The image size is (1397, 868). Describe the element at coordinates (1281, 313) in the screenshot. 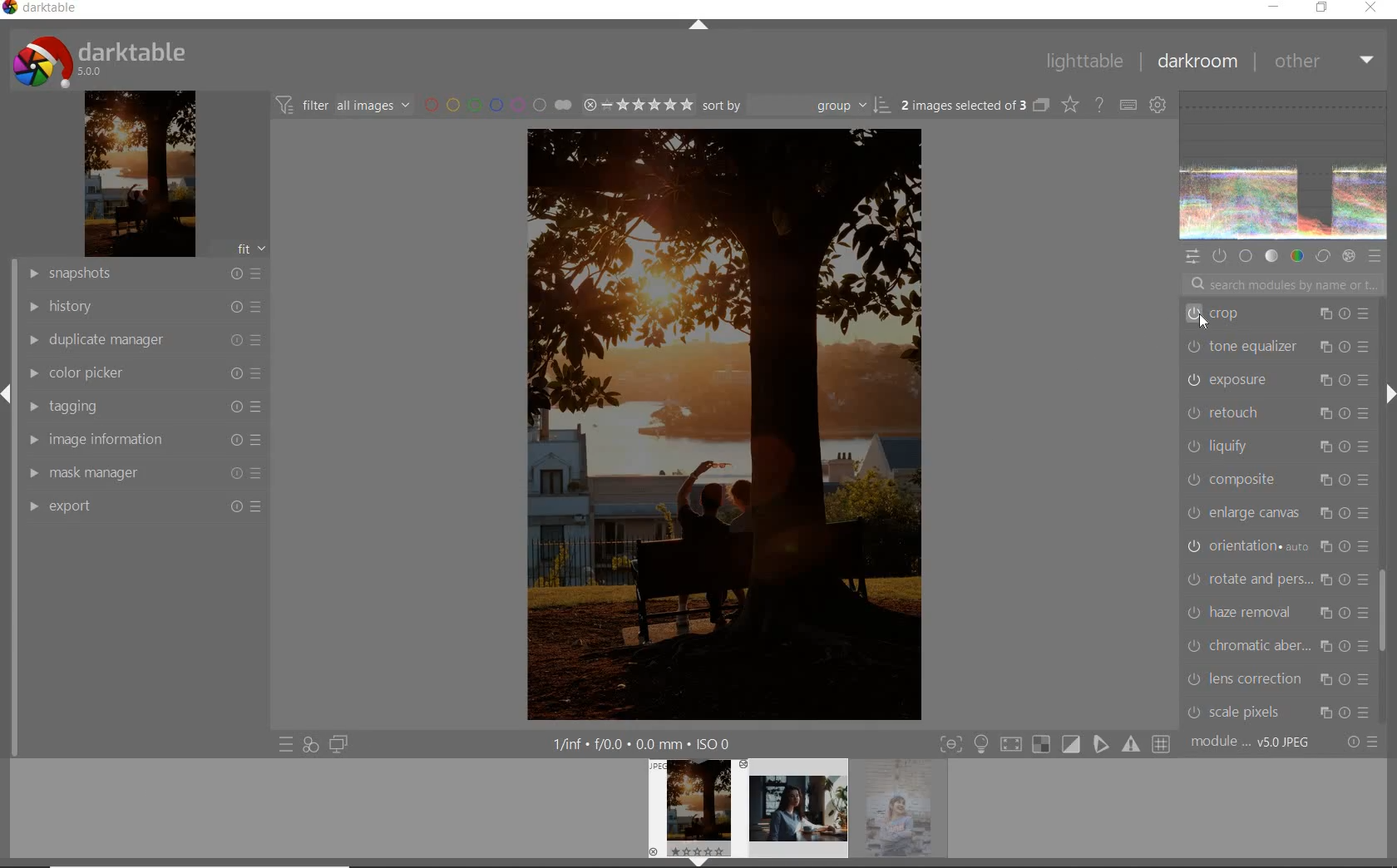

I see `crop` at that location.